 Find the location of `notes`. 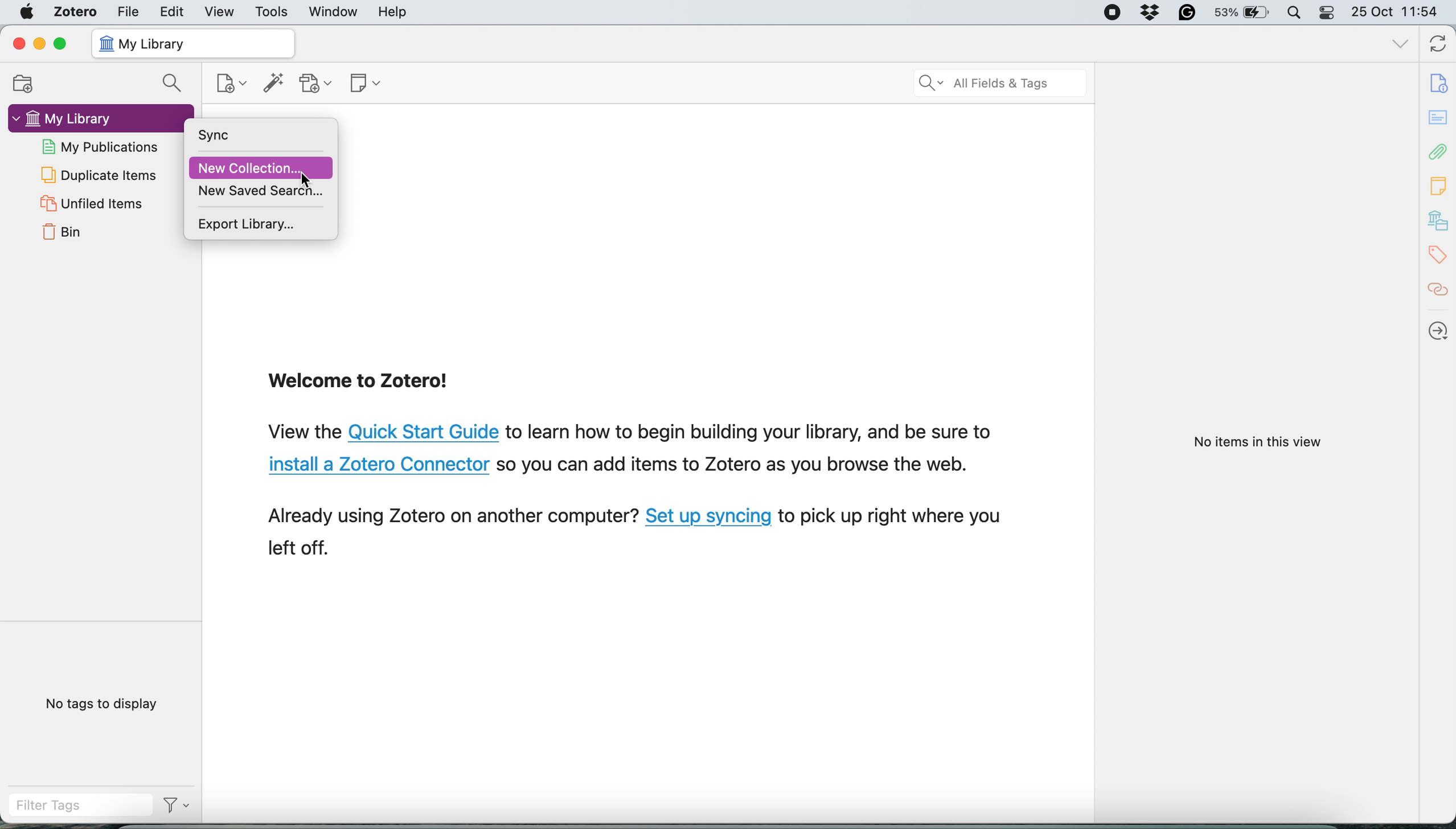

notes is located at coordinates (1438, 117).